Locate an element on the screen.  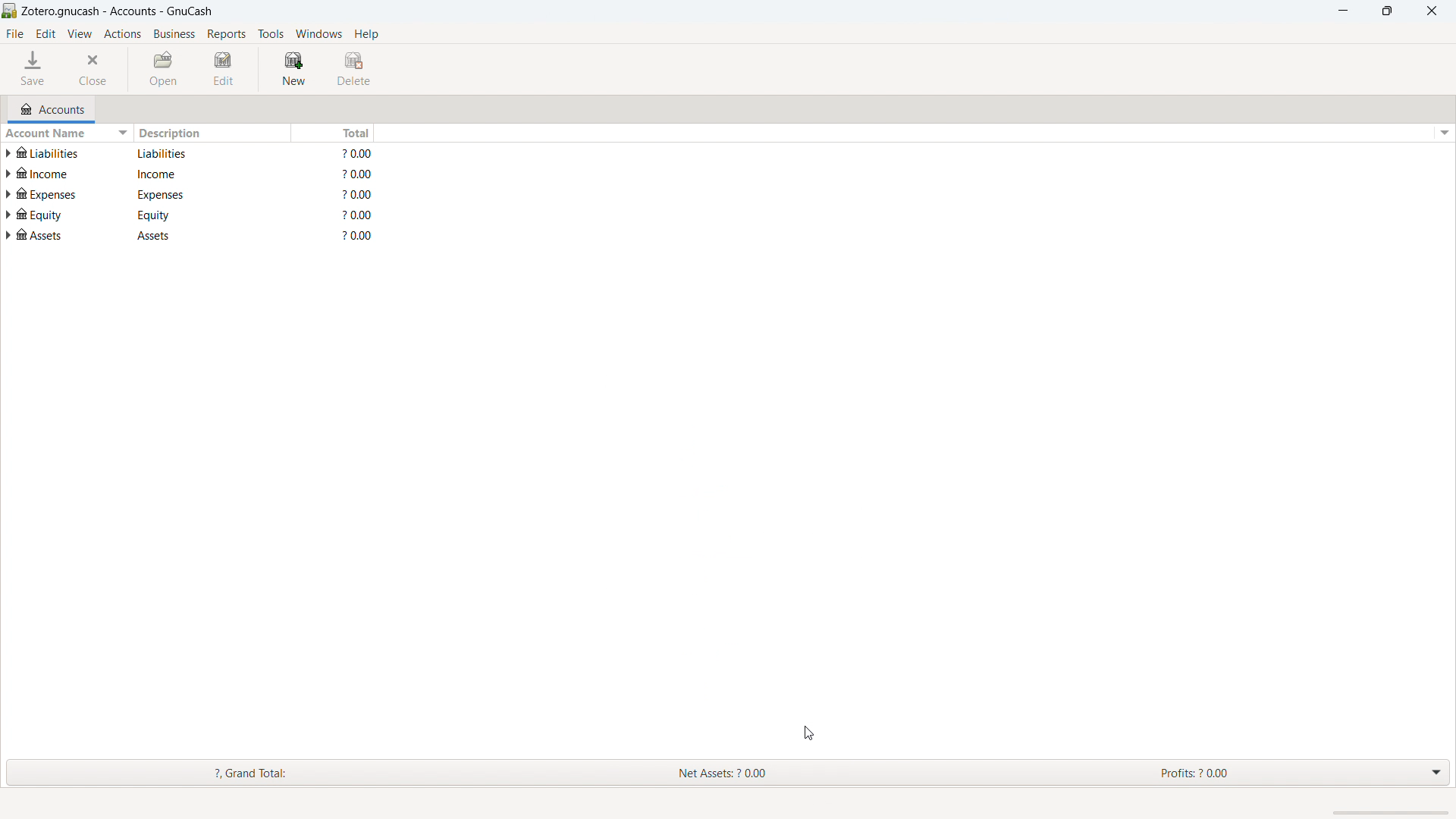
actions is located at coordinates (122, 35).